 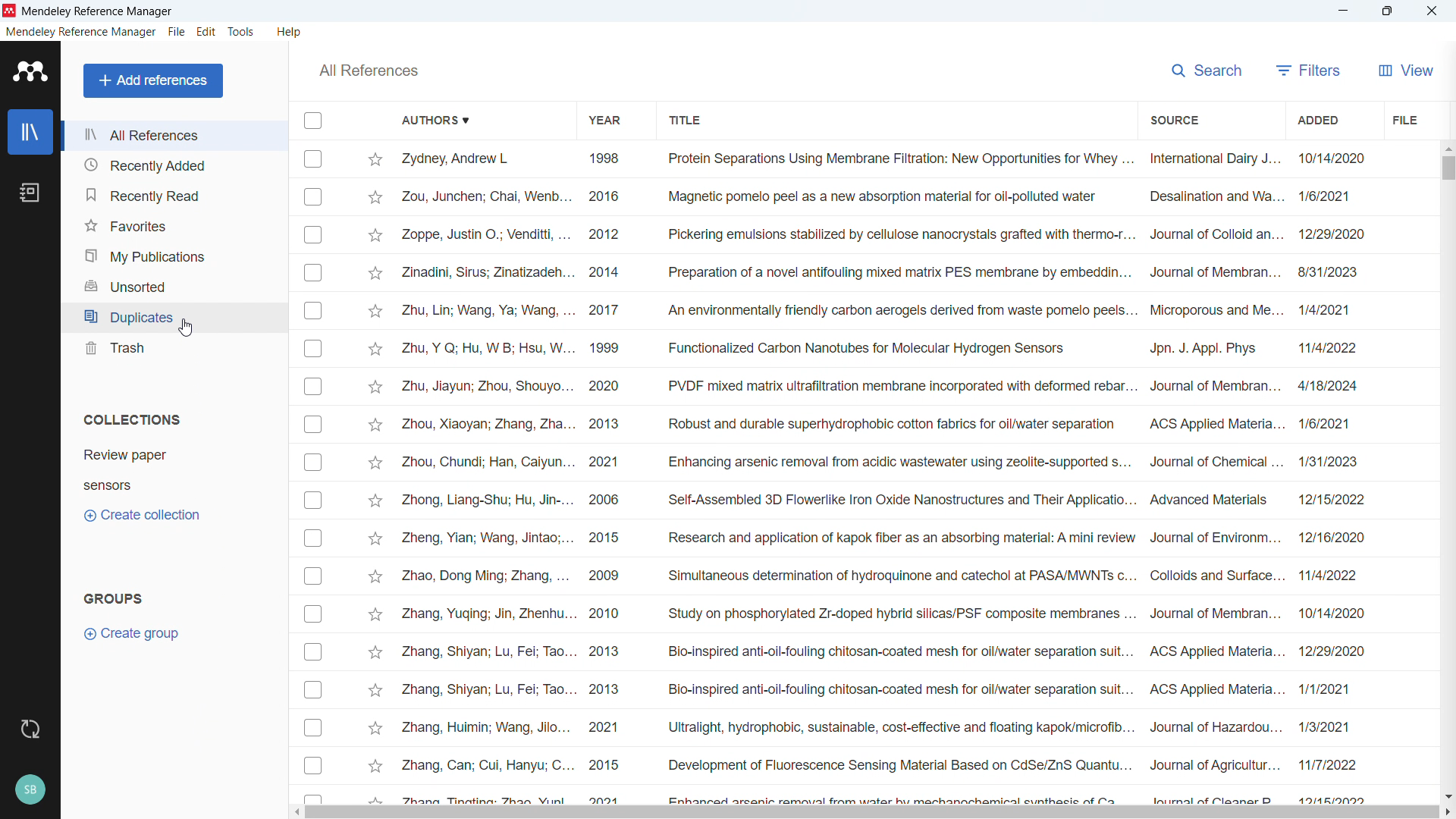 What do you see at coordinates (313, 121) in the screenshot?
I see `Select all ` at bounding box center [313, 121].